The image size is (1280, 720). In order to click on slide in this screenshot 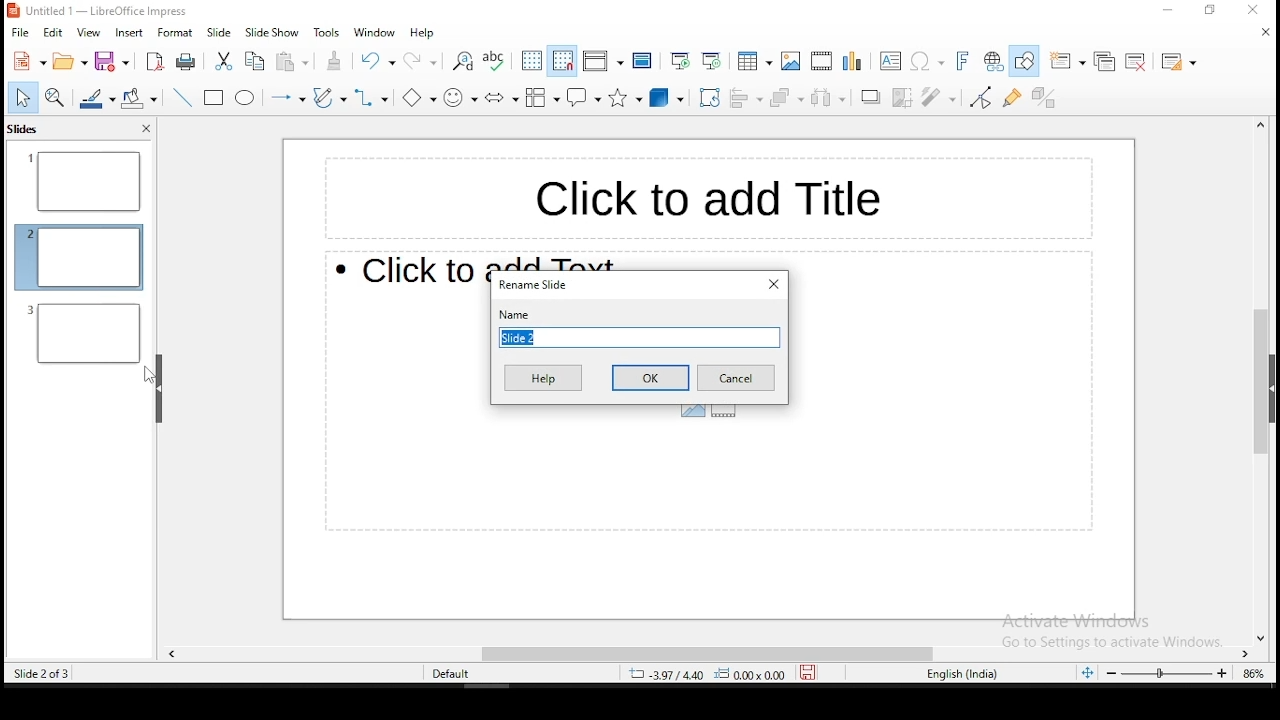, I will do `click(219, 33)`.